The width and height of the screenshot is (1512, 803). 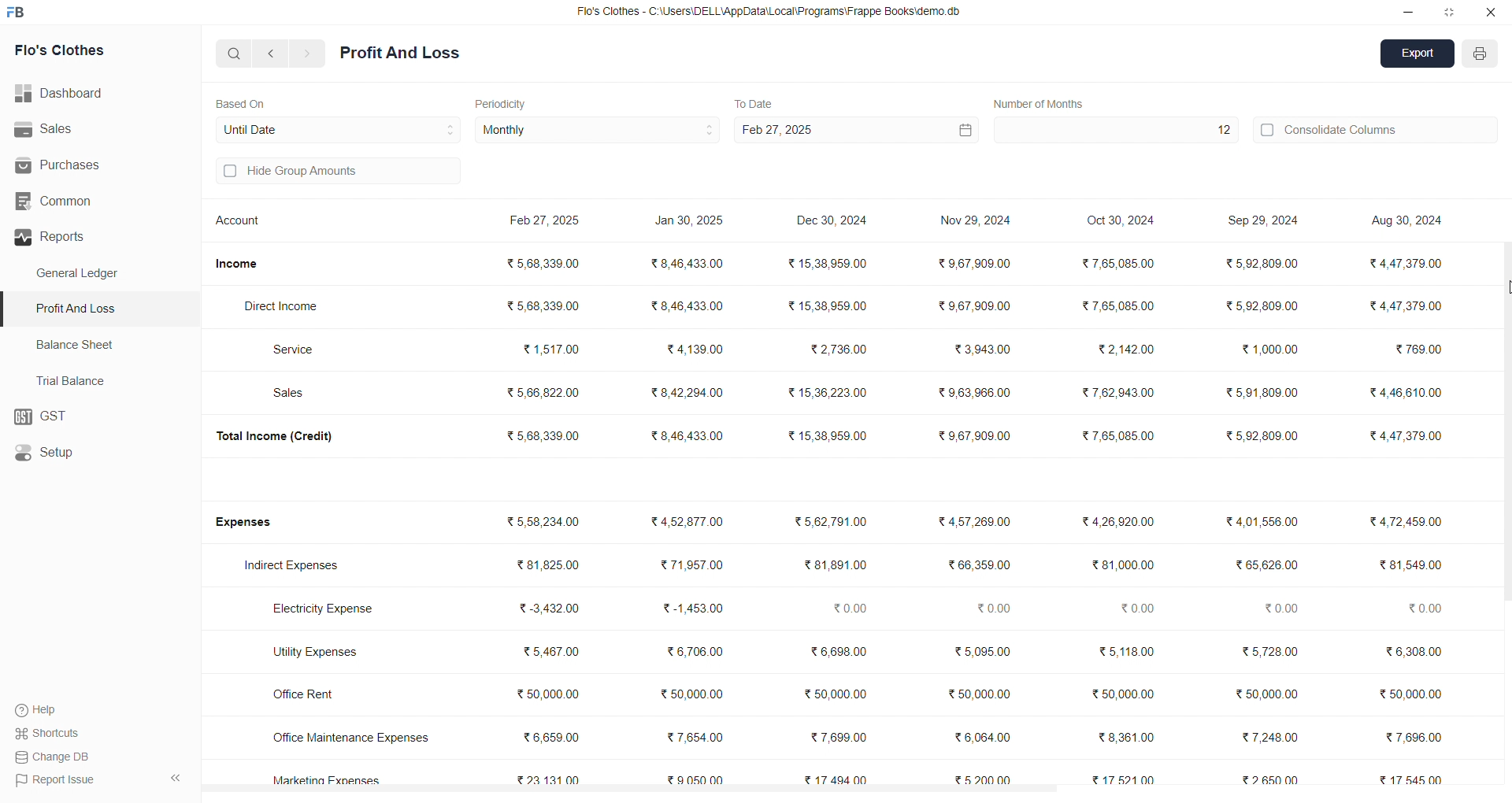 I want to click on ₹4,47.379.00, so click(x=1403, y=265).